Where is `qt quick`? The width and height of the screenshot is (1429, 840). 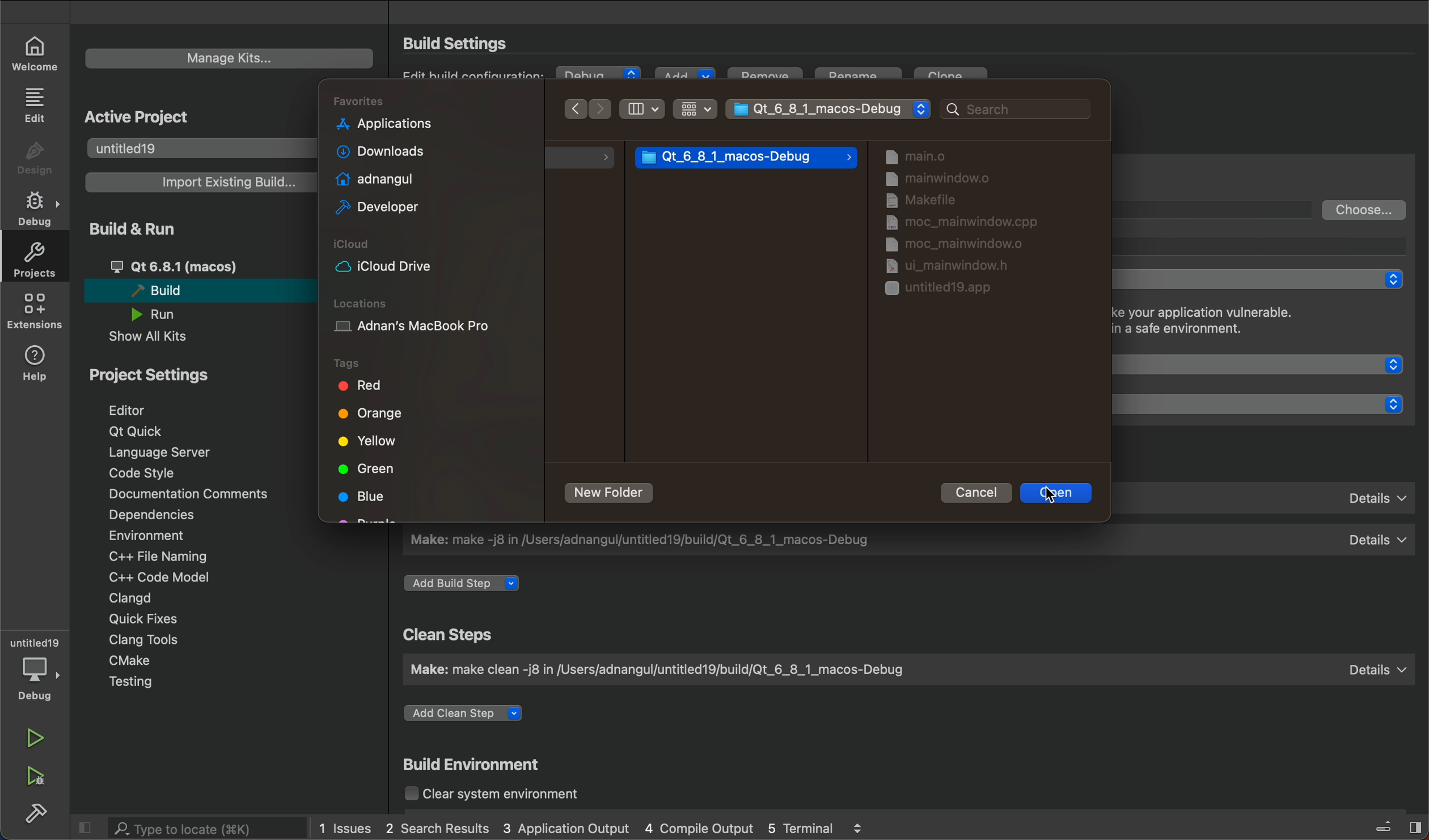
qt quick is located at coordinates (139, 432).